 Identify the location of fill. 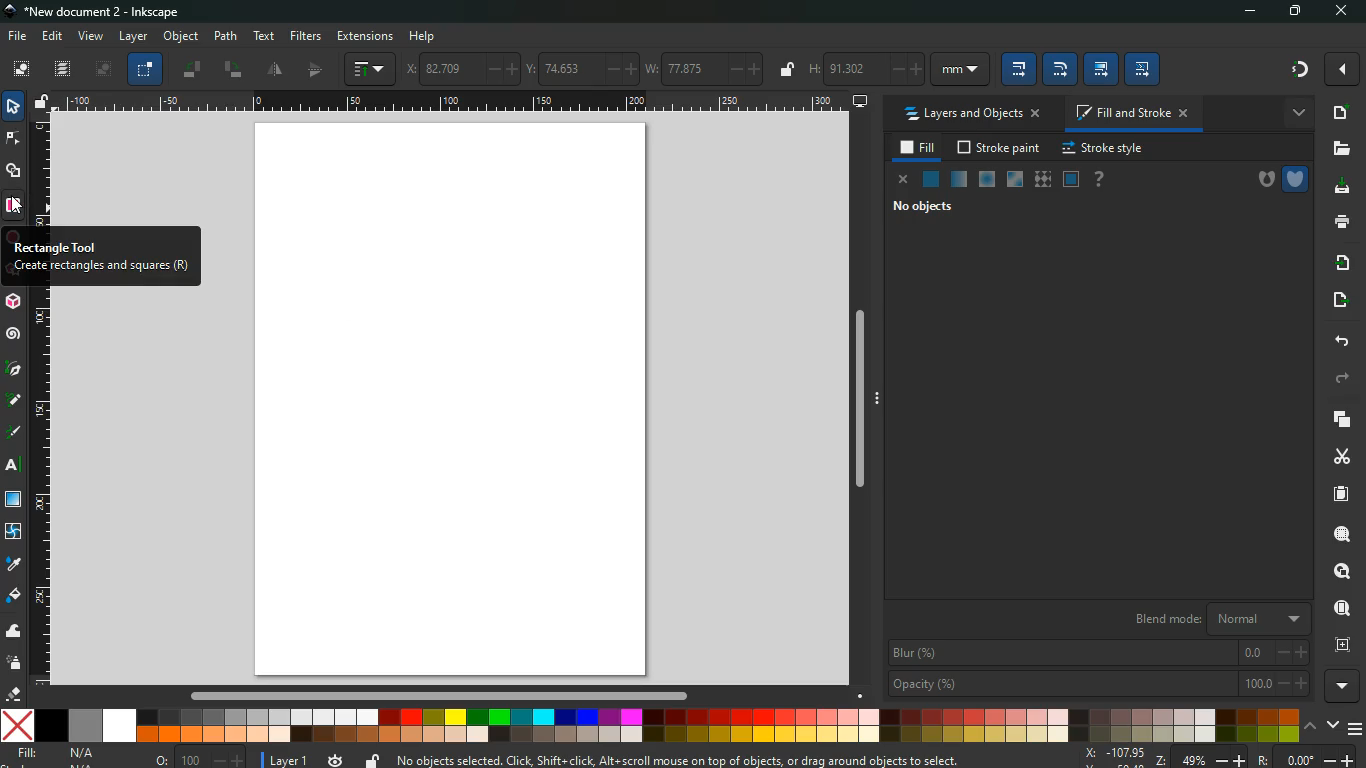
(58, 757).